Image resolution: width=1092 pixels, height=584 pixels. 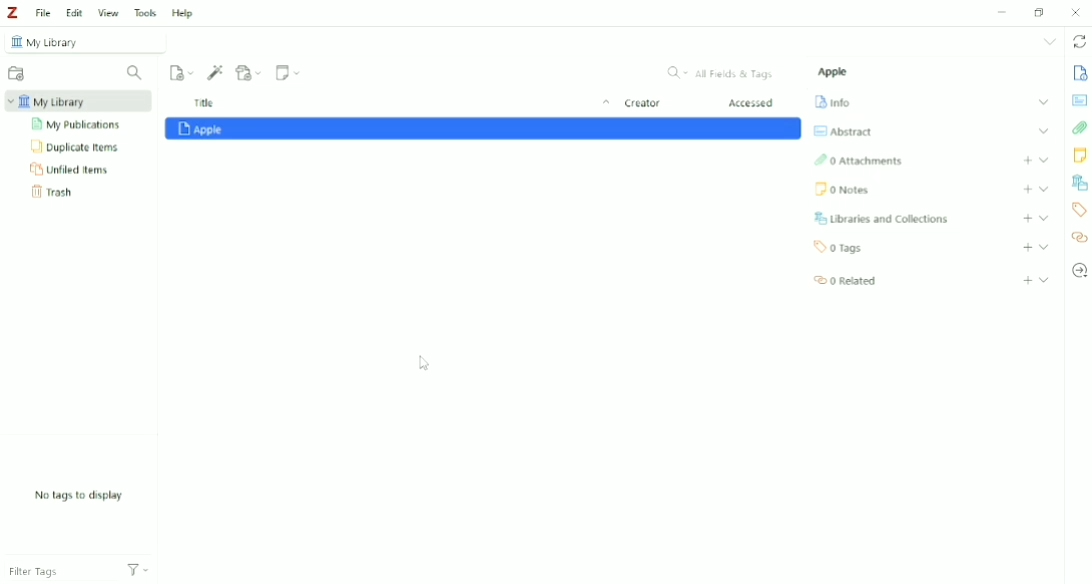 I want to click on Apple, so click(x=484, y=130).